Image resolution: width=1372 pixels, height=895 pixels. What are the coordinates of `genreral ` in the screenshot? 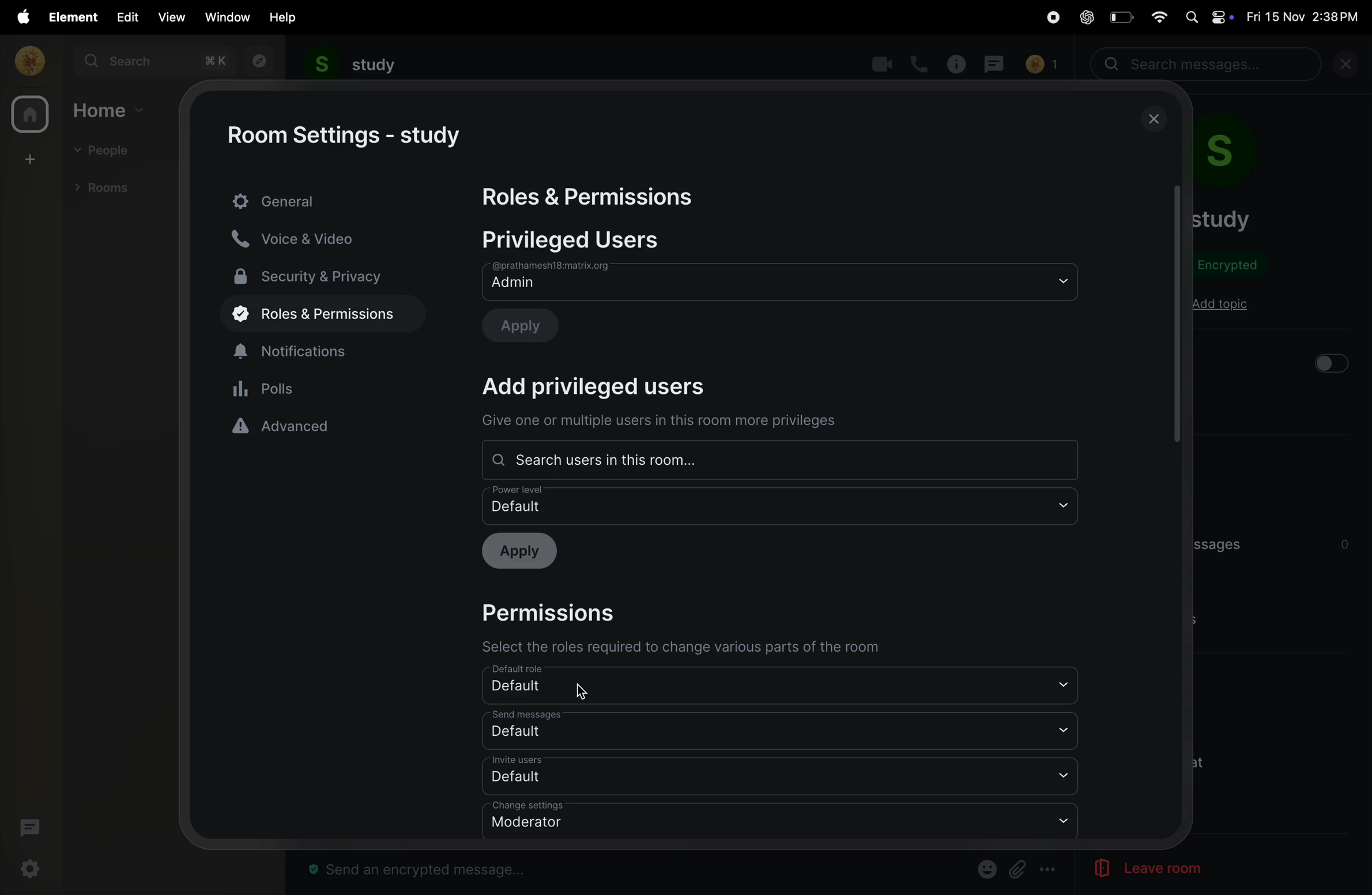 It's located at (325, 200).